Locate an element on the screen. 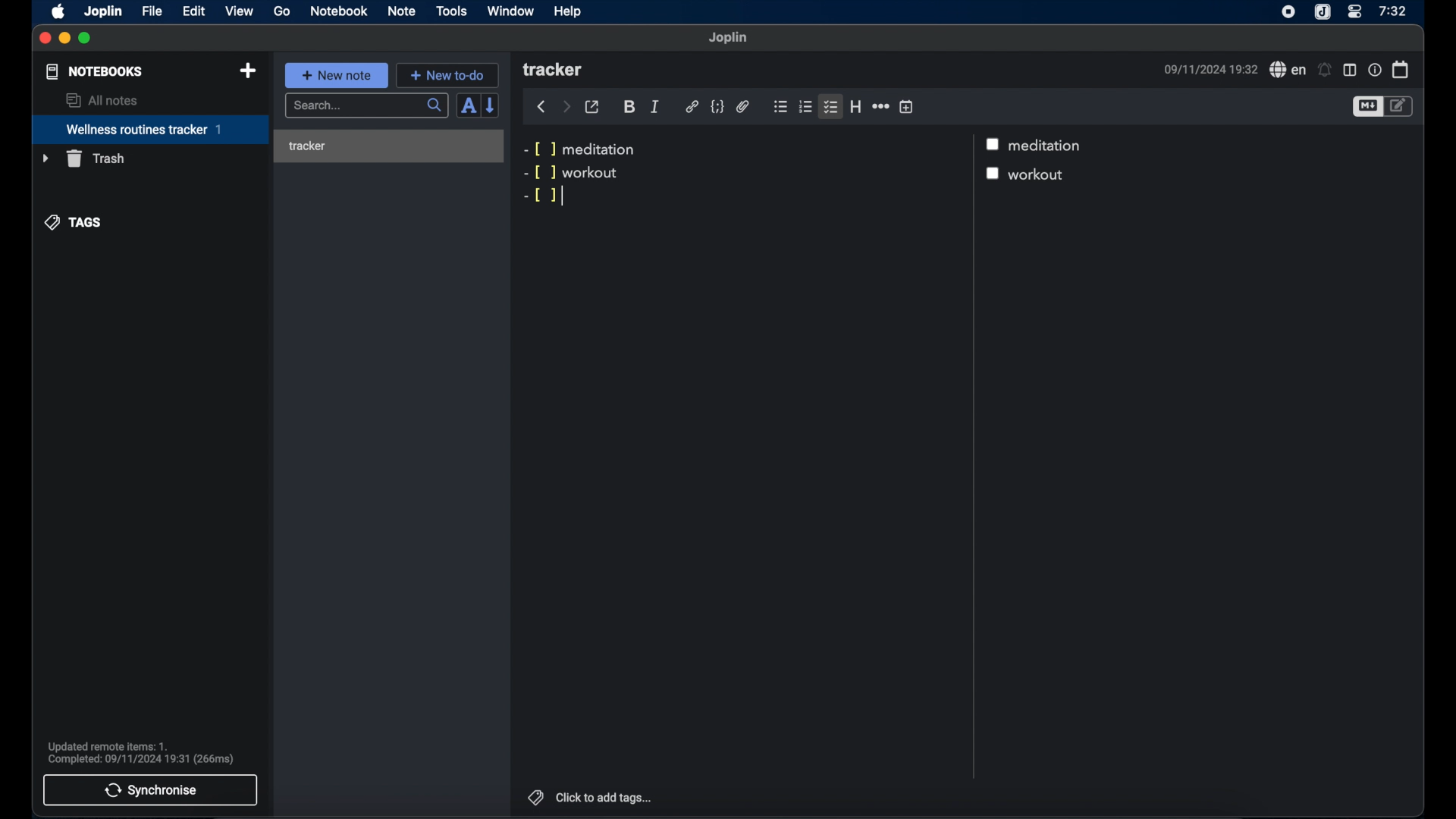  scroll bar is located at coordinates (971, 457).